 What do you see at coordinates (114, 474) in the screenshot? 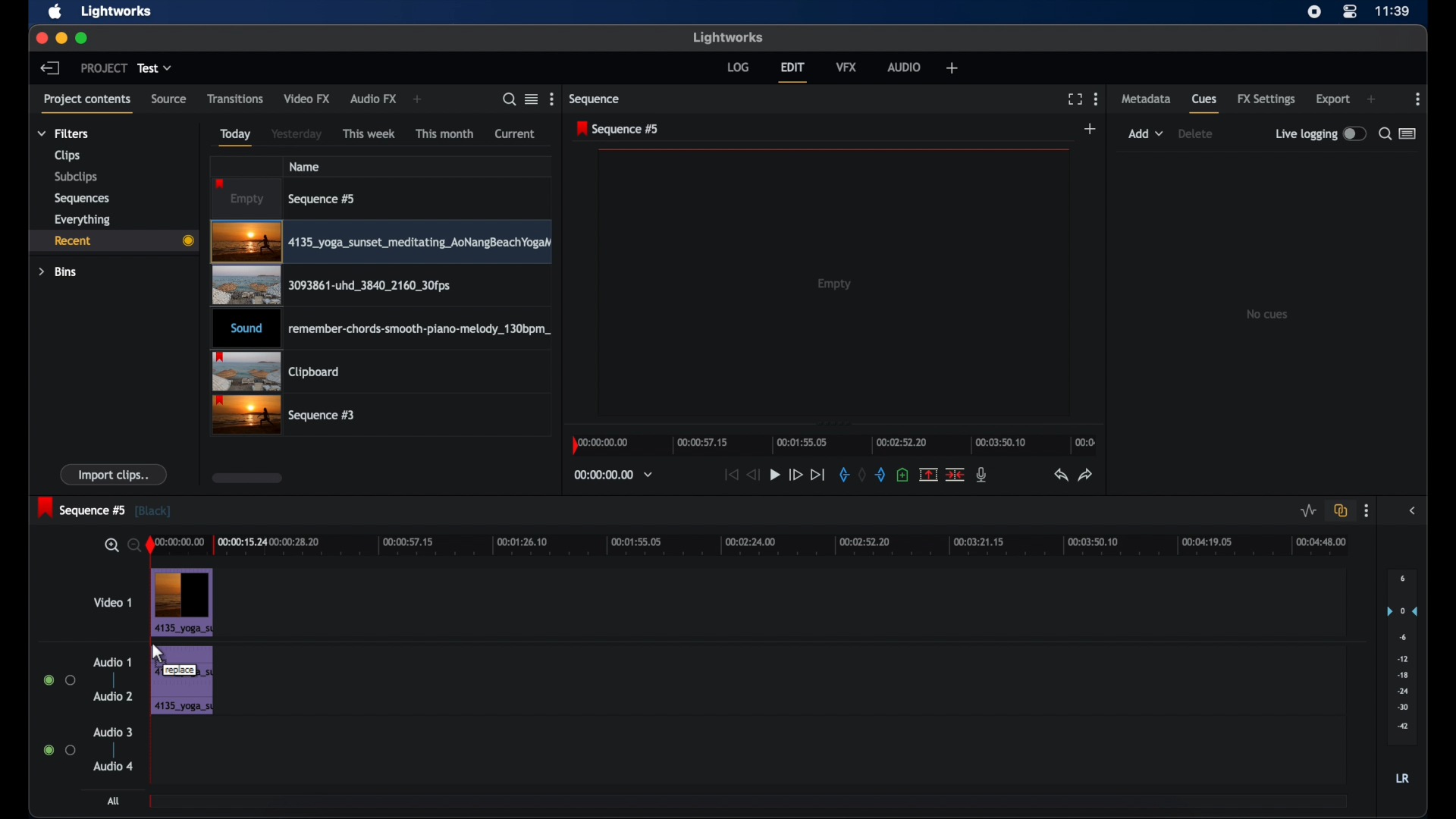
I see `import clips` at bounding box center [114, 474].